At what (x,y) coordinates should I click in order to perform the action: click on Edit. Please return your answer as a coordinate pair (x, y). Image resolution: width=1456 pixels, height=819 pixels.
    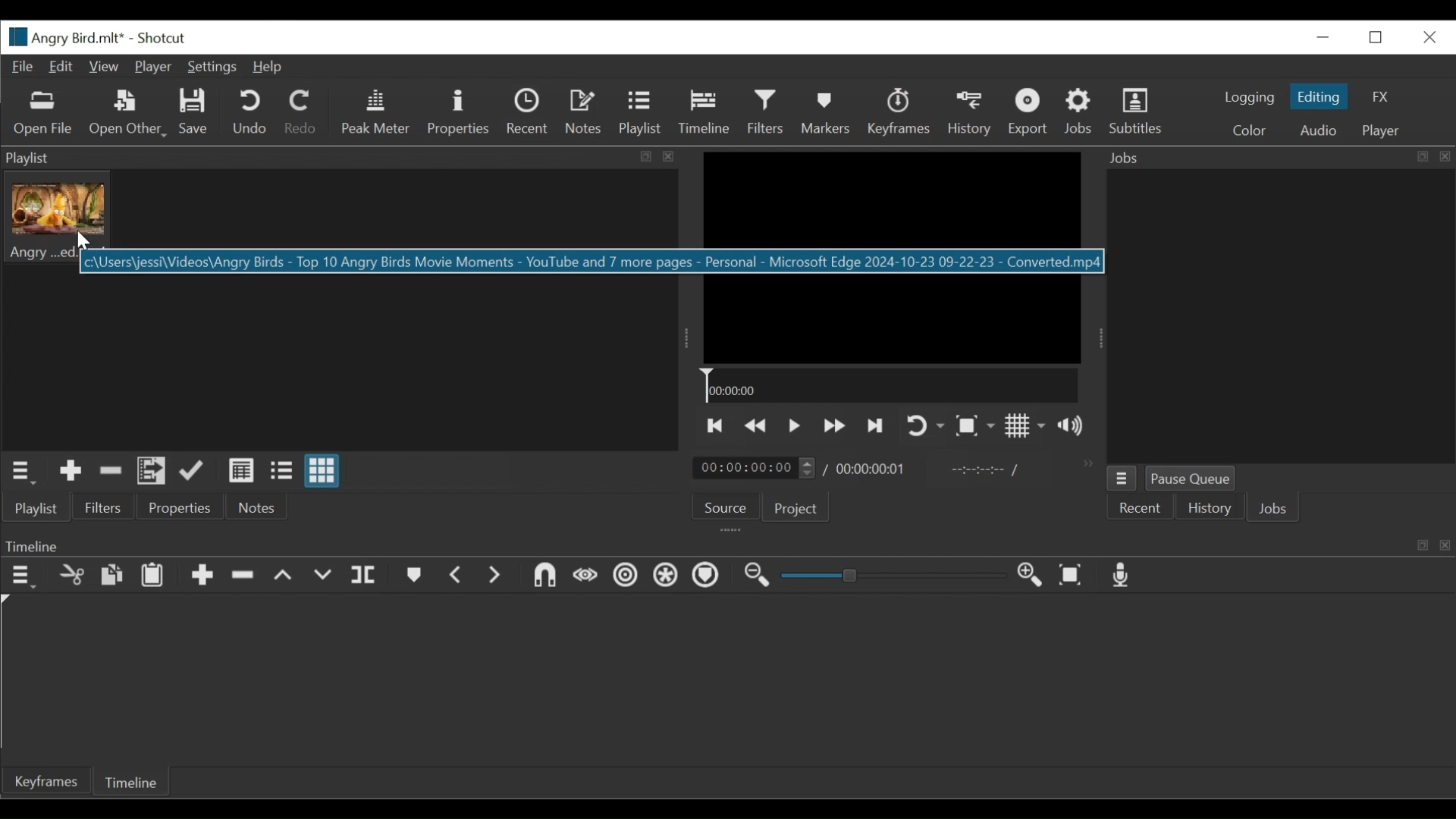
    Looking at the image, I should click on (58, 67).